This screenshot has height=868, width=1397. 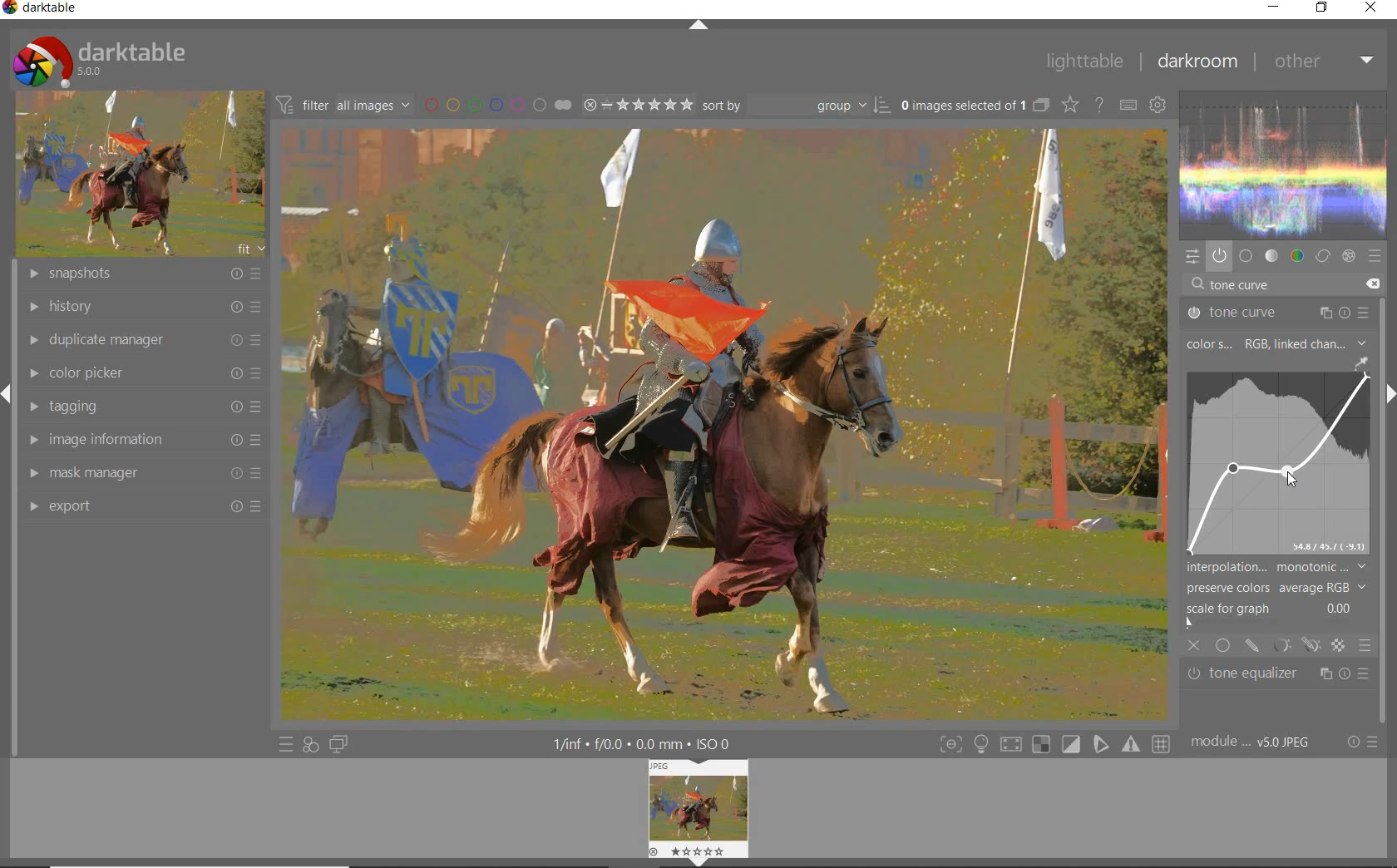 I want to click on darkroom, so click(x=1197, y=63).